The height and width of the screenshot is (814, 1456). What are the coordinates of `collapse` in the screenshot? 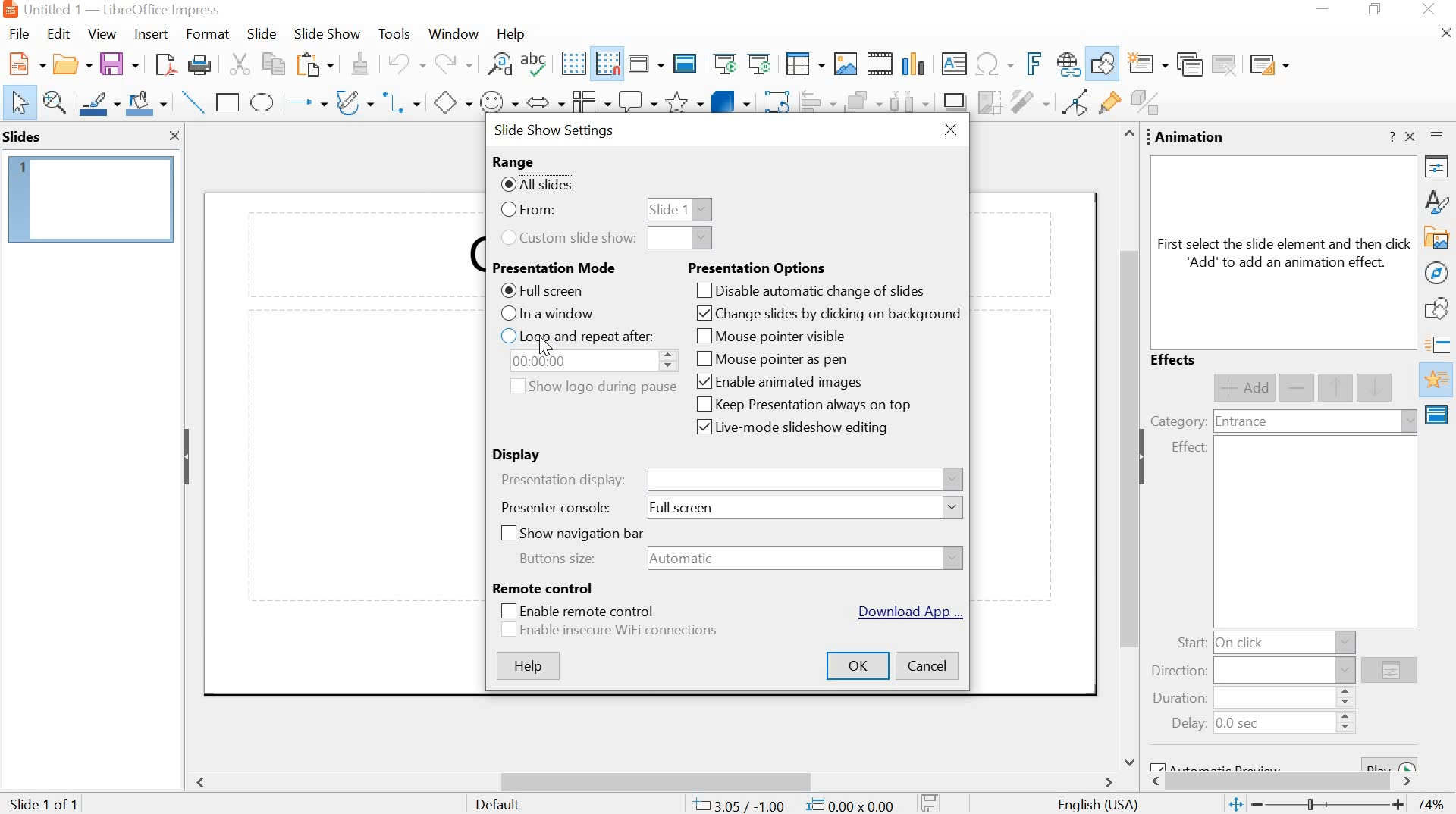 It's located at (186, 456).